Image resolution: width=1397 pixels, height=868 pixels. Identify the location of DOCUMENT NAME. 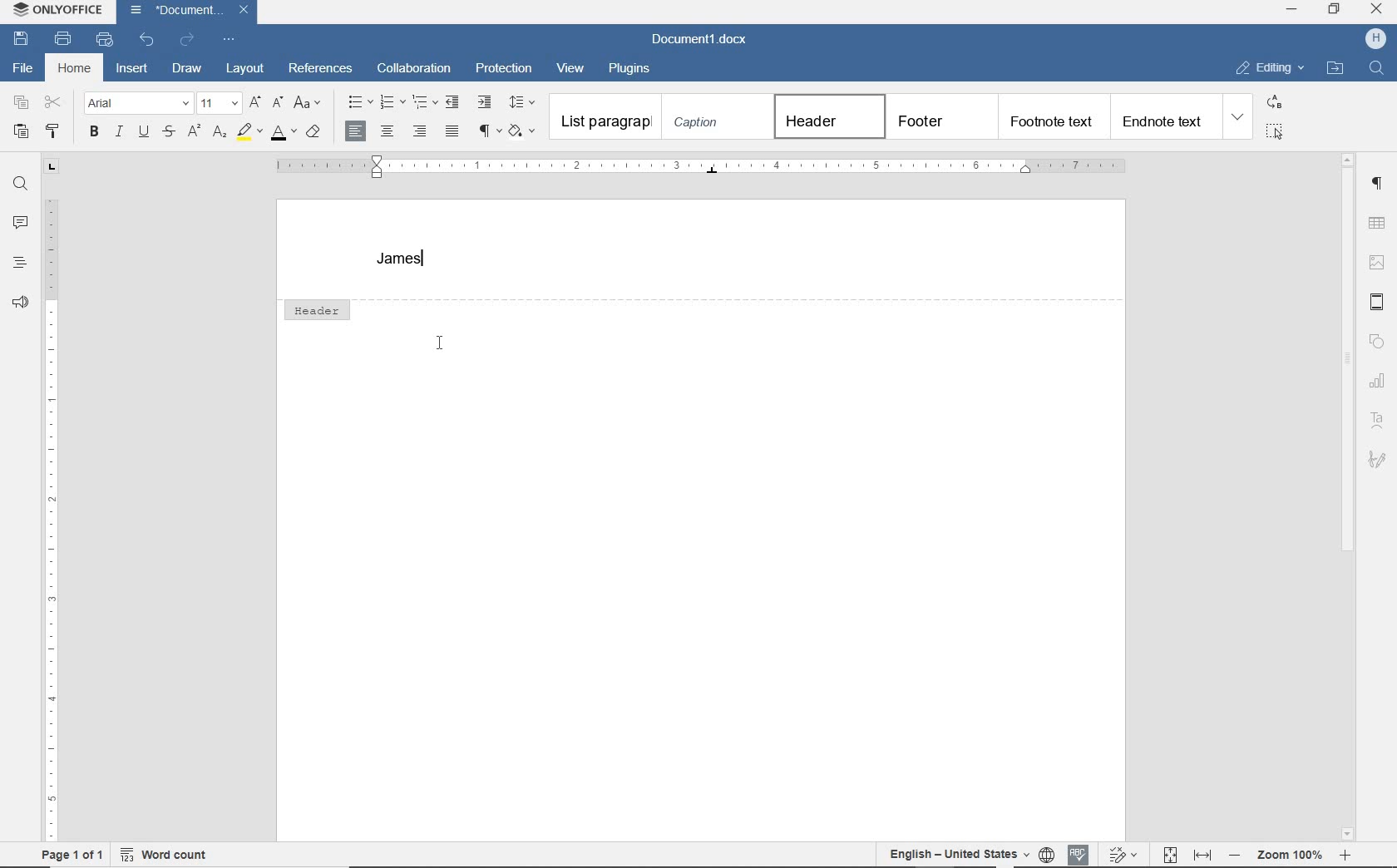
(699, 41).